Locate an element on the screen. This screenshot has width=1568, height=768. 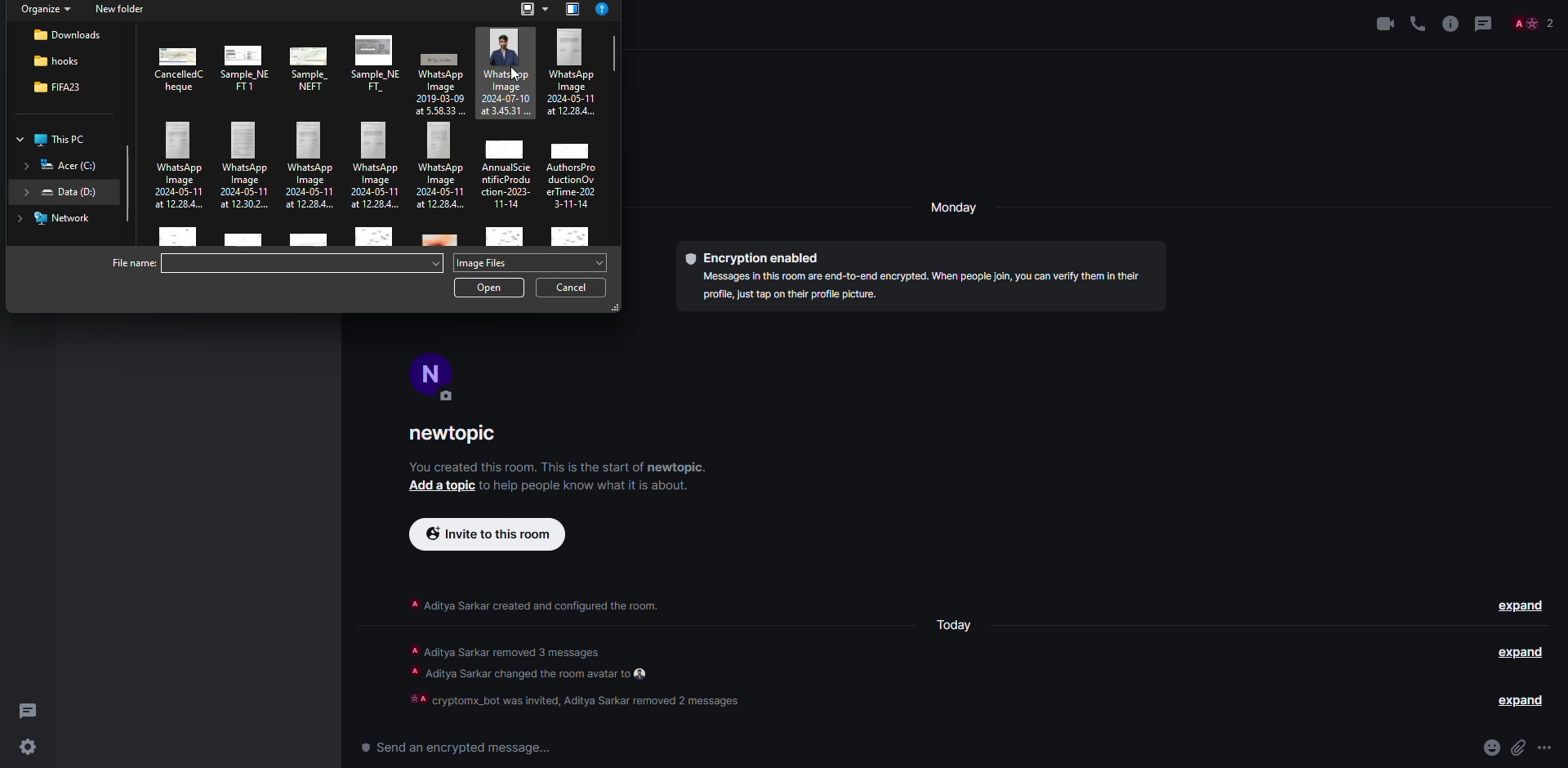
view is located at coordinates (533, 10).